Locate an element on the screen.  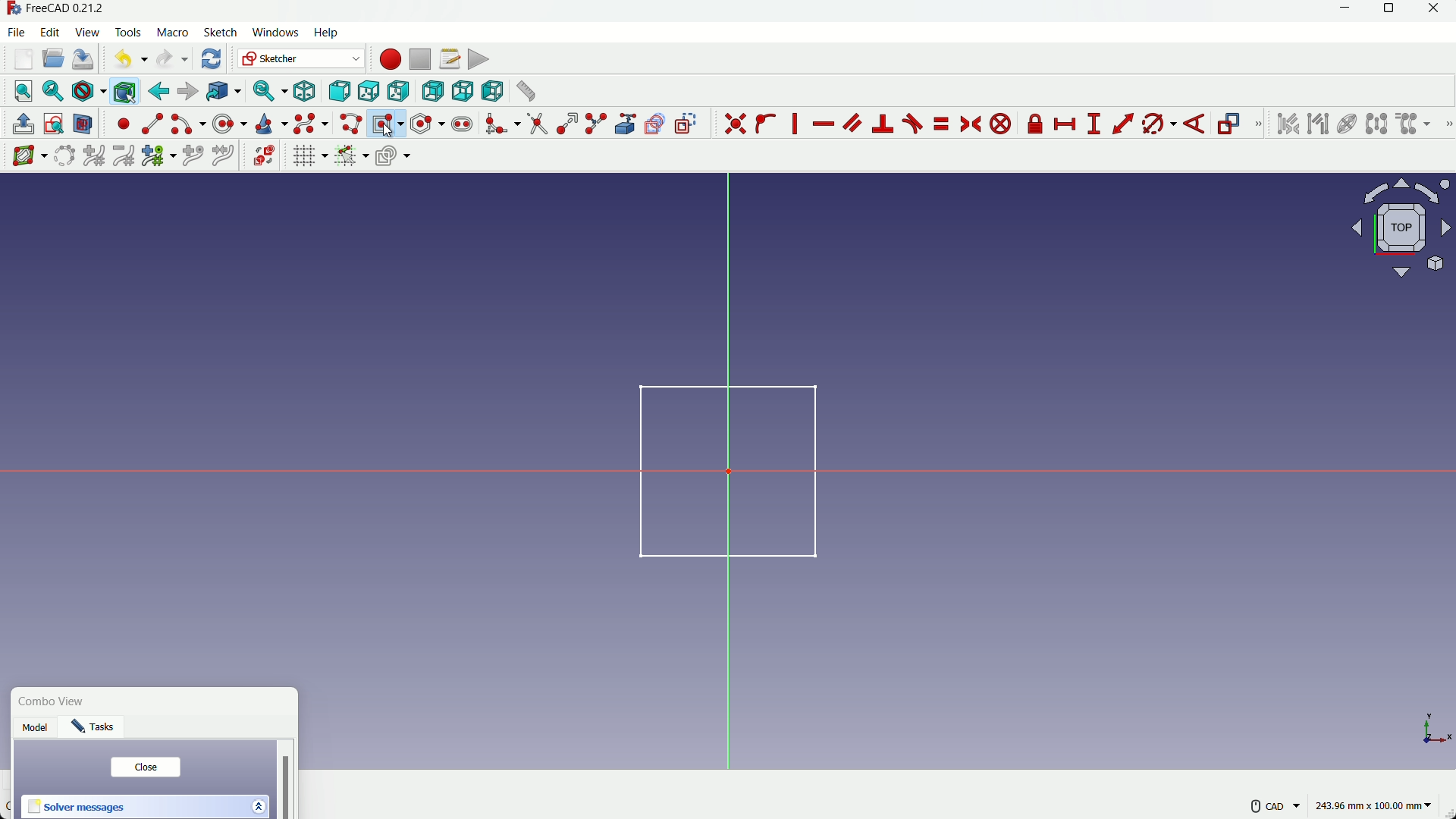
forward is located at coordinates (187, 92).